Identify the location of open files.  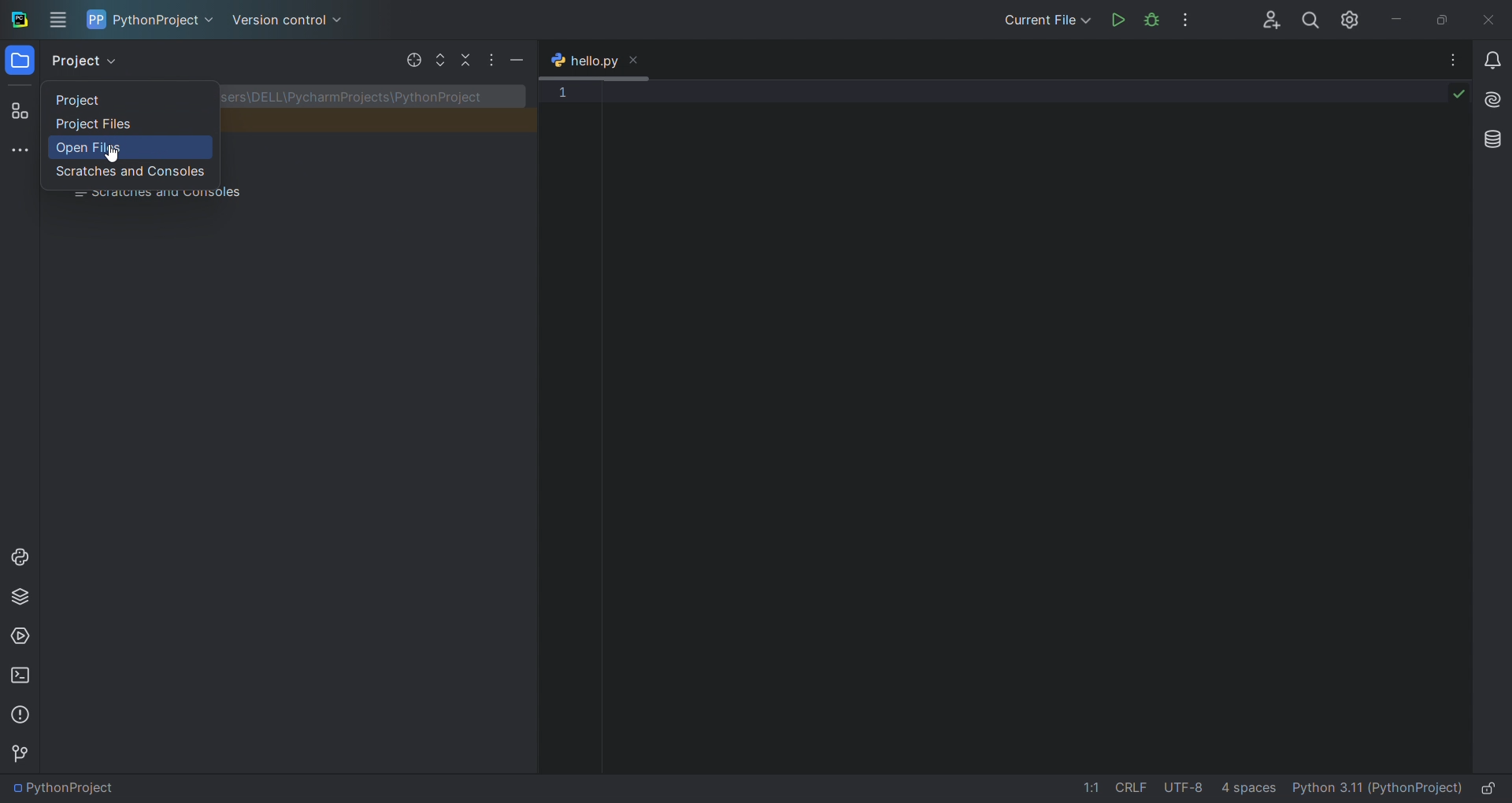
(127, 150).